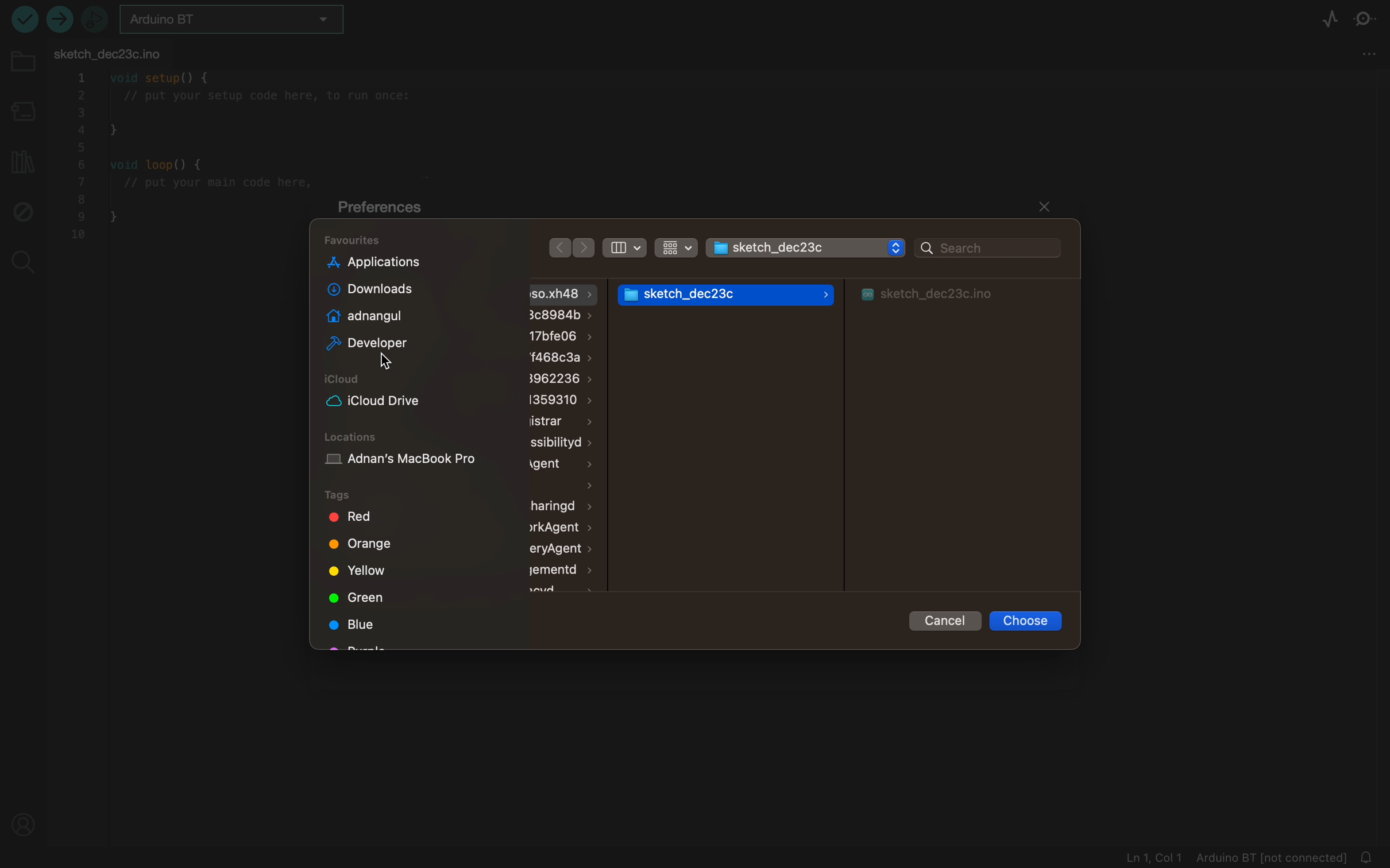 This screenshot has height=868, width=1390. I want to click on files and folders, so click(560, 440).